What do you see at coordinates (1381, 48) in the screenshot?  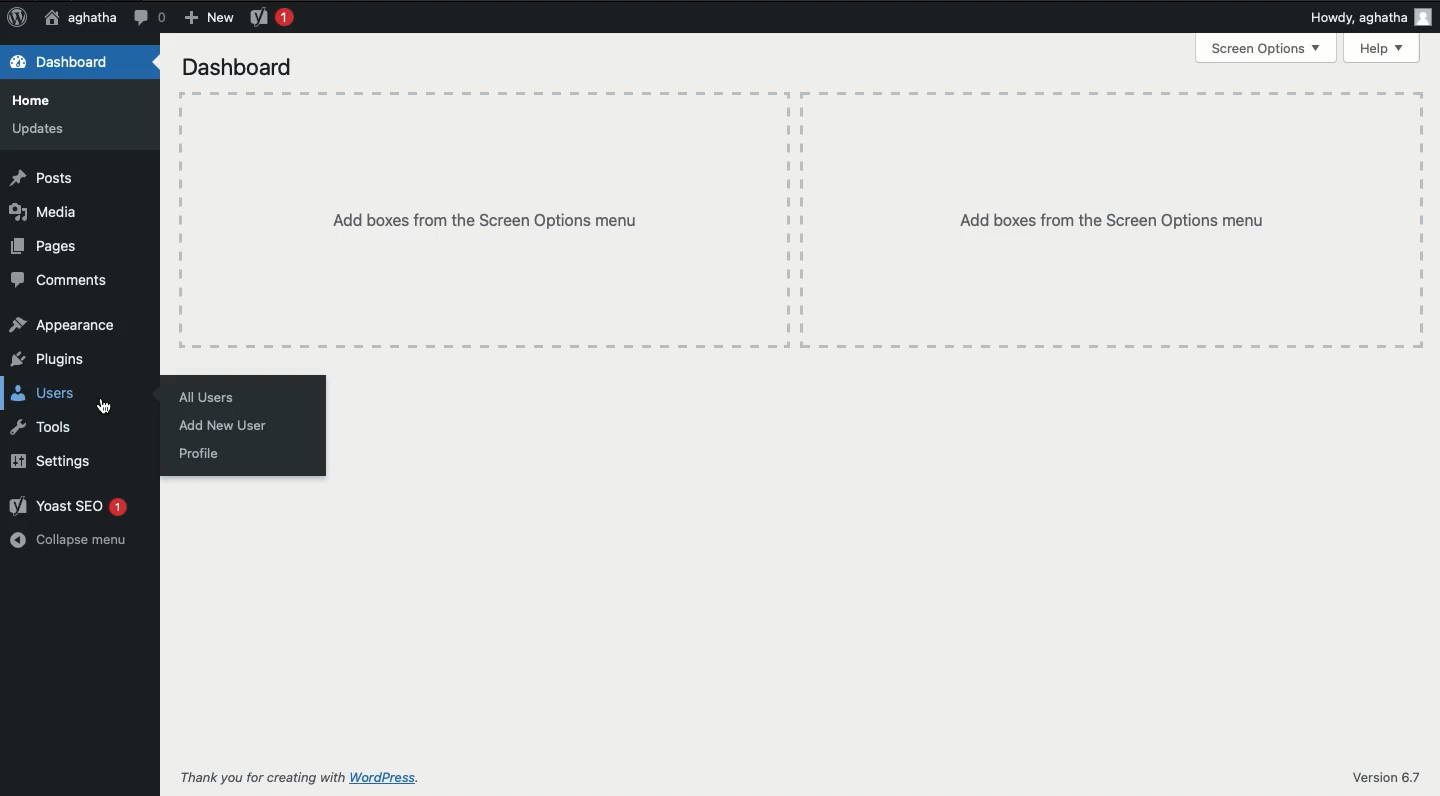 I see `Help` at bounding box center [1381, 48].